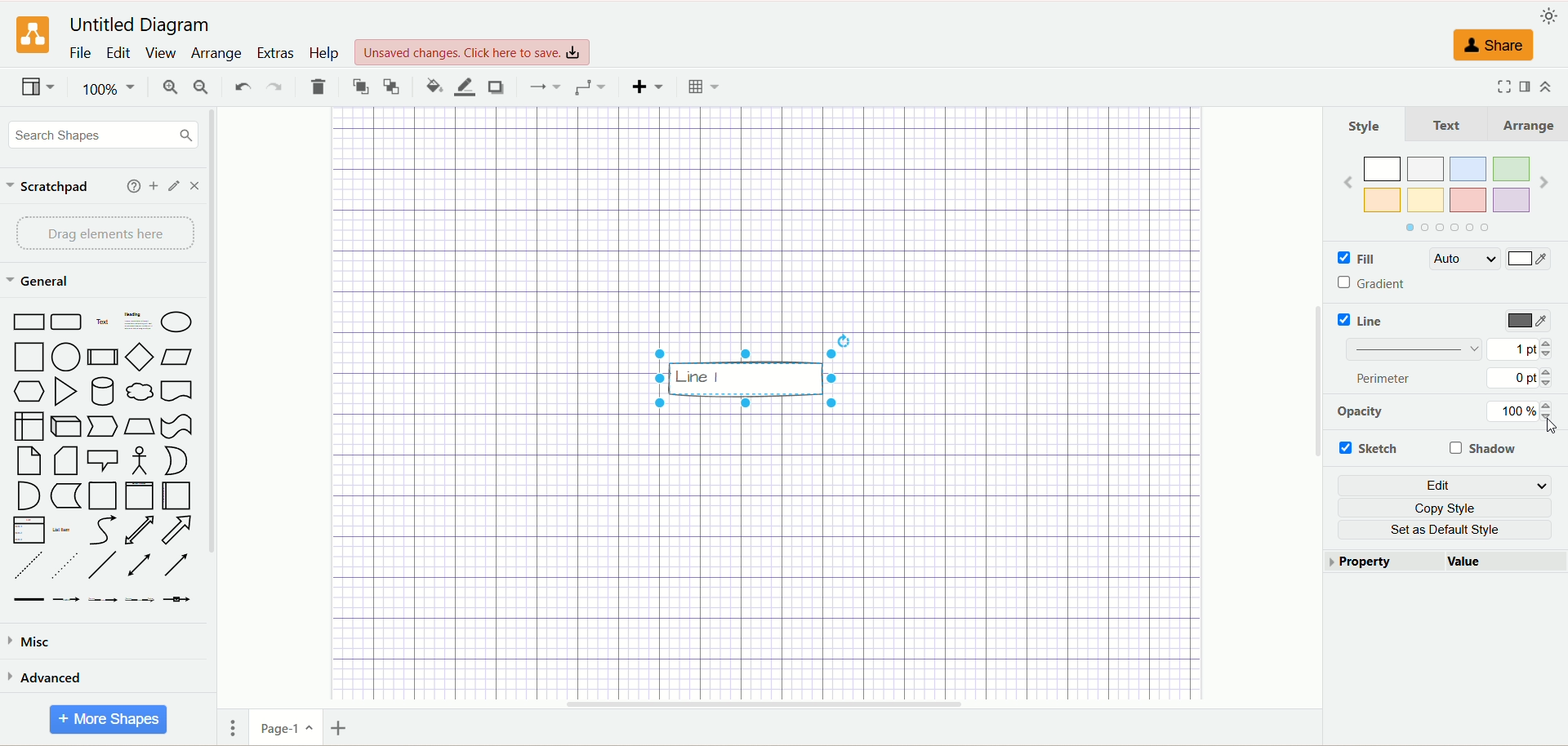 This screenshot has height=746, width=1568. What do you see at coordinates (319, 87) in the screenshot?
I see `delete` at bounding box center [319, 87].